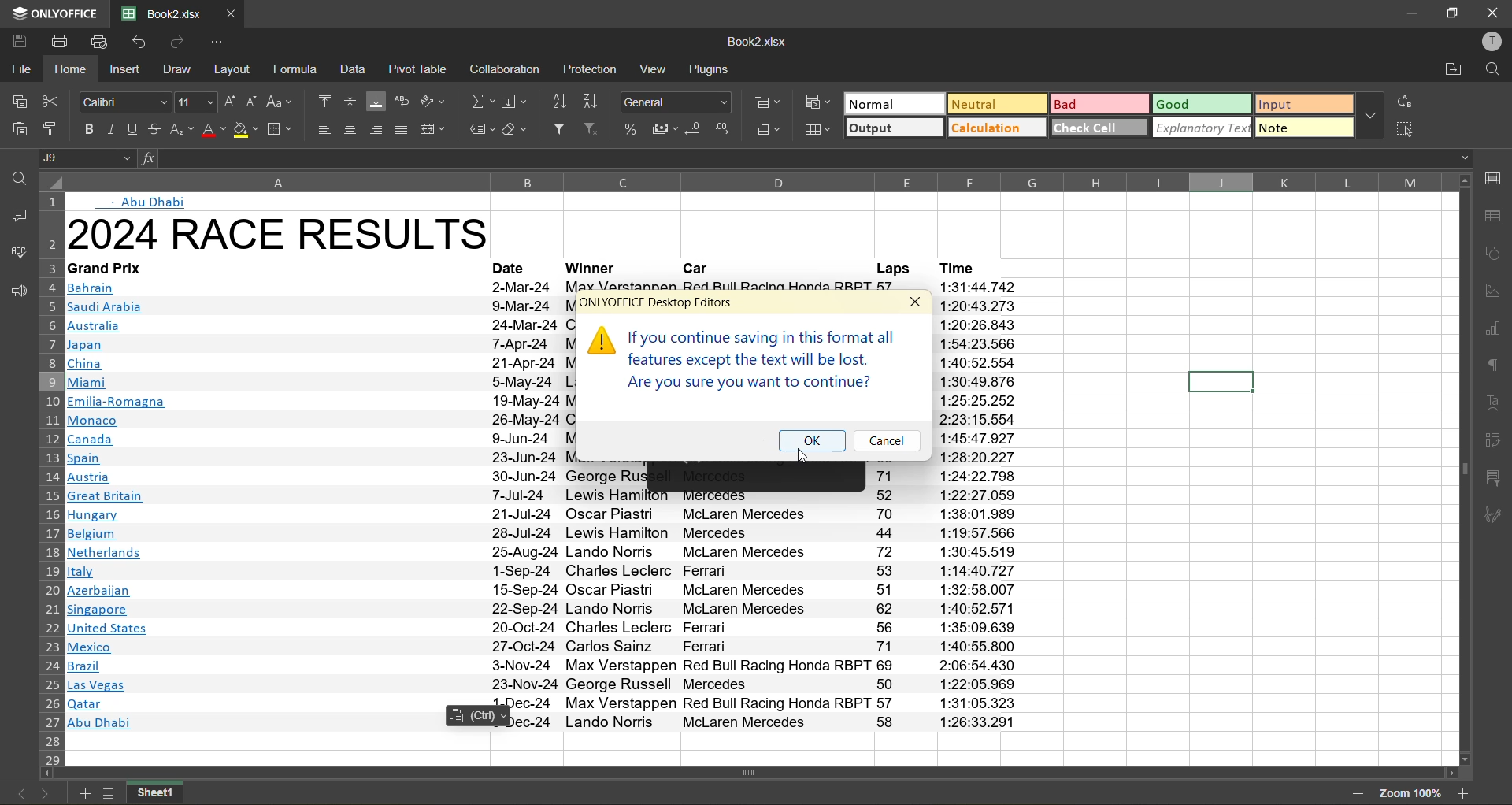 The width and height of the screenshot is (1512, 805). Describe the element at coordinates (421, 69) in the screenshot. I see `pivot table` at that location.